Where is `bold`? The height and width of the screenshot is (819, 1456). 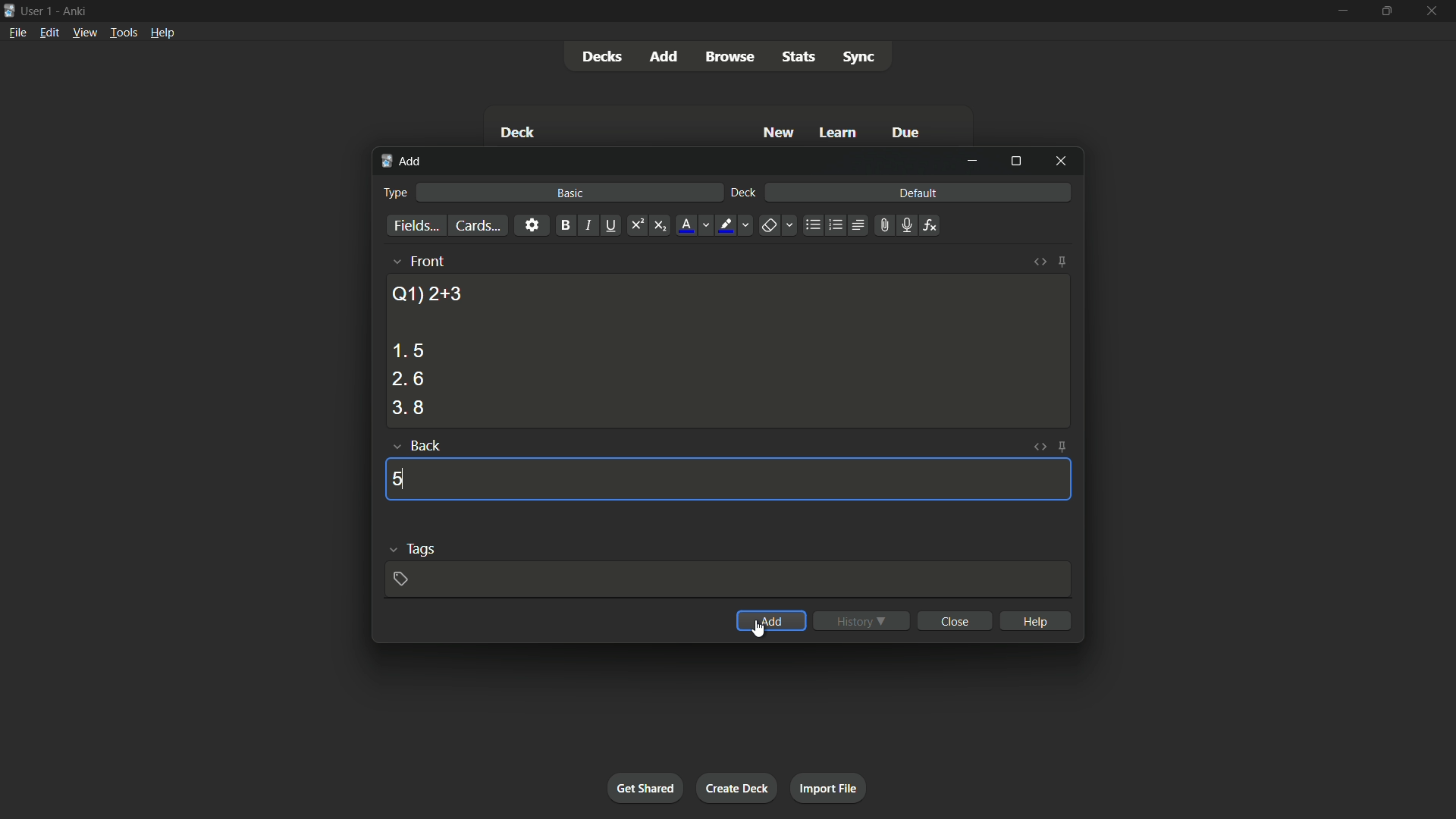
bold is located at coordinates (565, 226).